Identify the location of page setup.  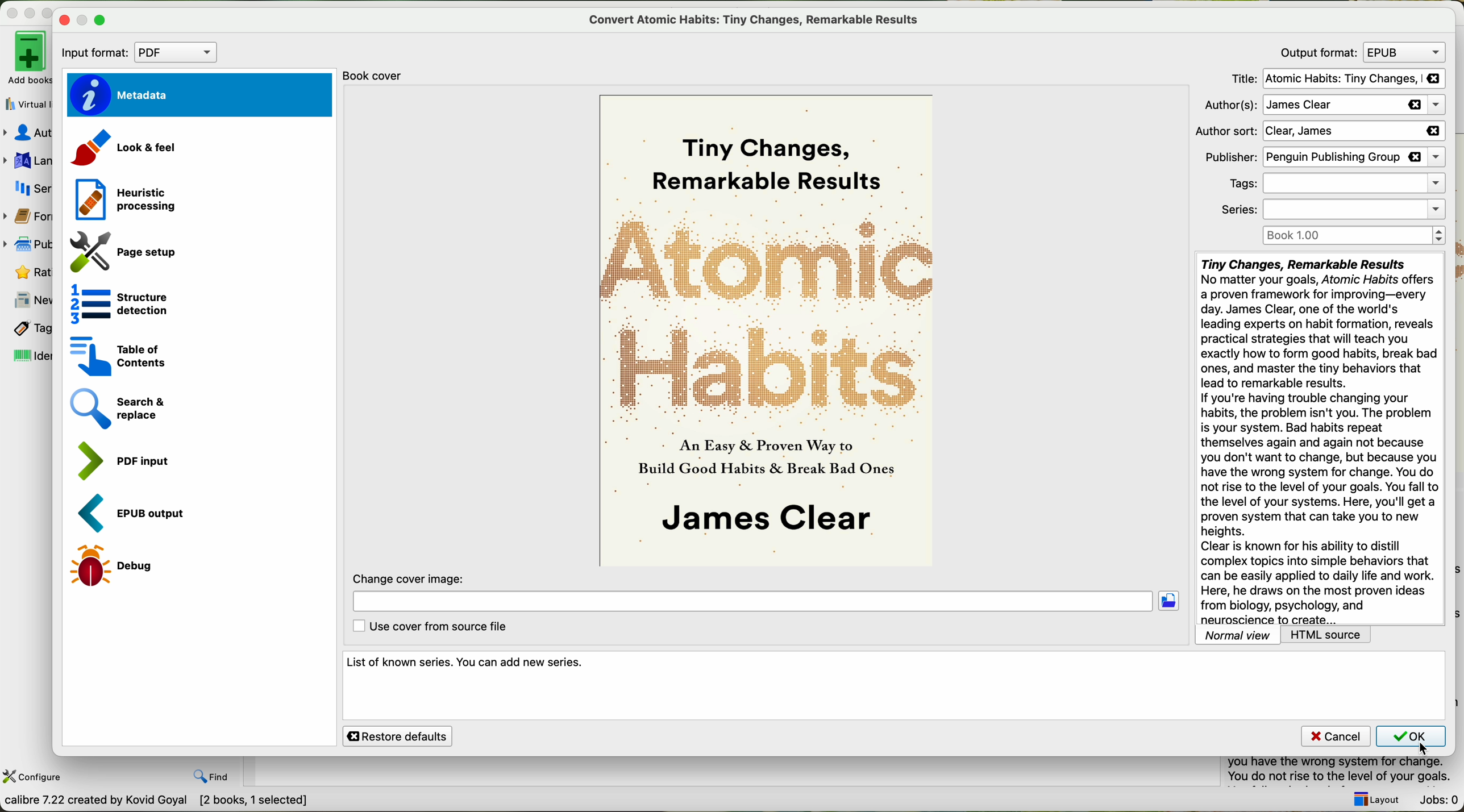
(118, 249).